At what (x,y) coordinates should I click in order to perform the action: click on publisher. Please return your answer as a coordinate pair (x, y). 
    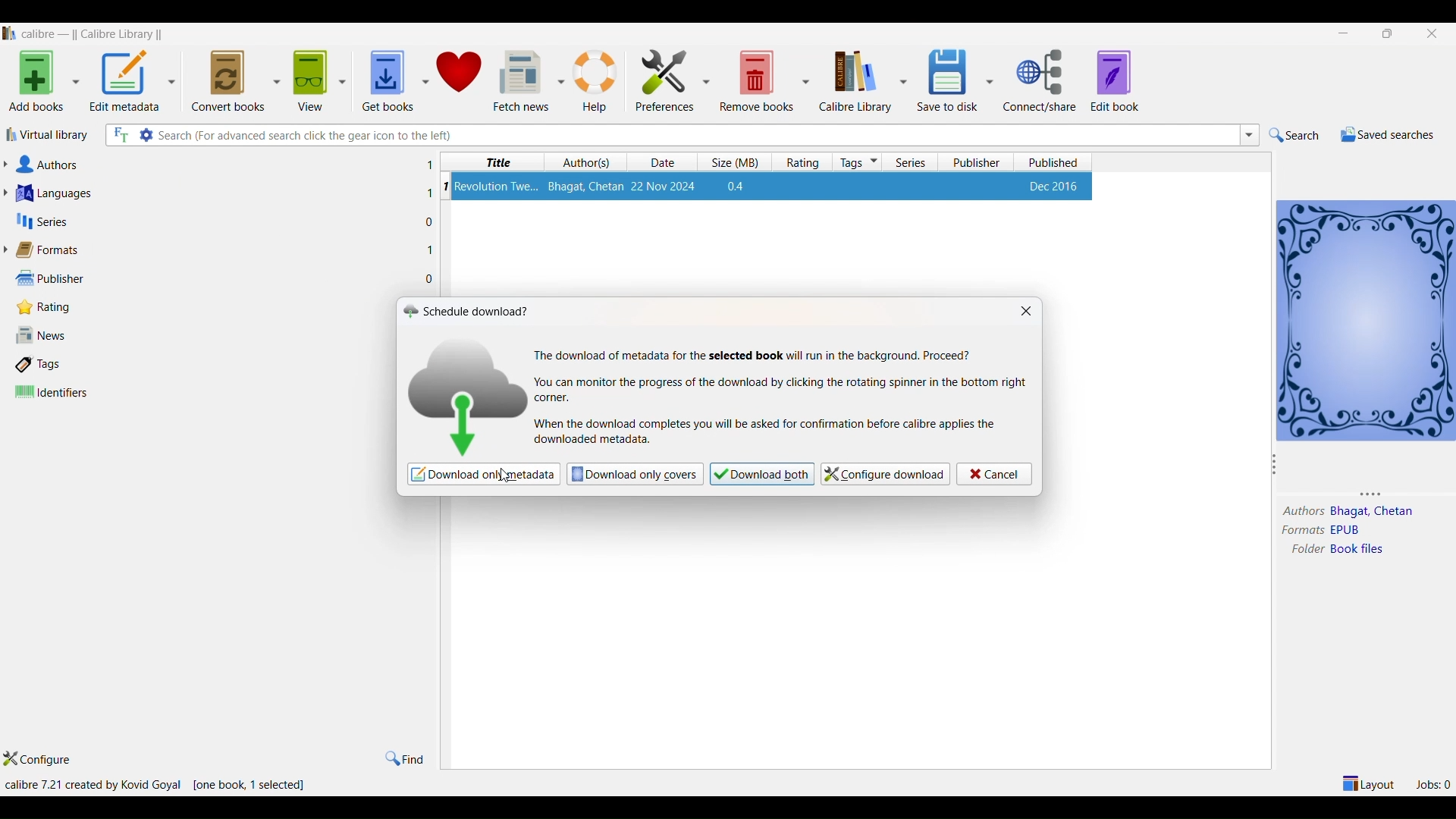
    Looking at the image, I should click on (46, 278).